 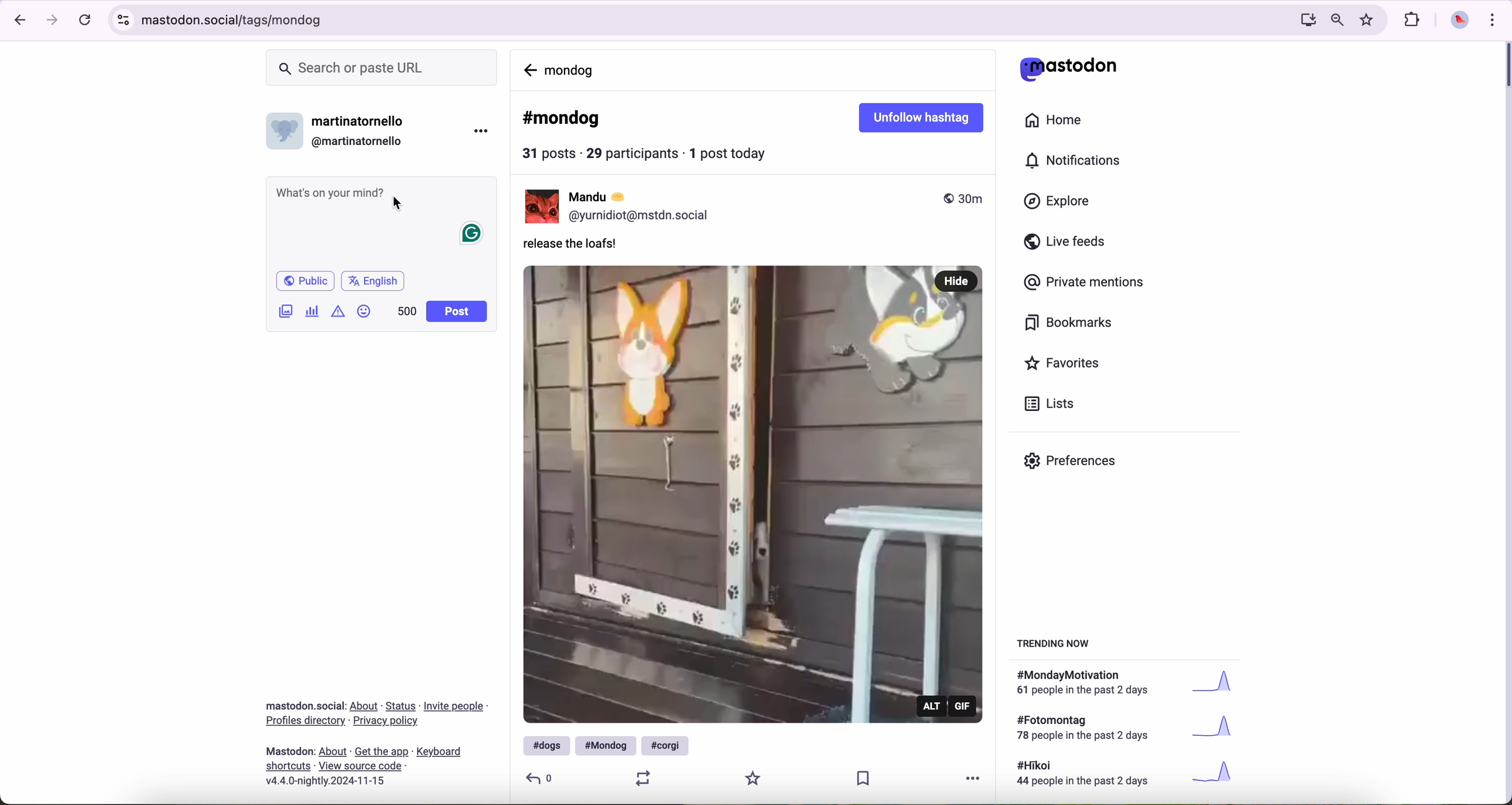 I want to click on link, so click(x=305, y=722).